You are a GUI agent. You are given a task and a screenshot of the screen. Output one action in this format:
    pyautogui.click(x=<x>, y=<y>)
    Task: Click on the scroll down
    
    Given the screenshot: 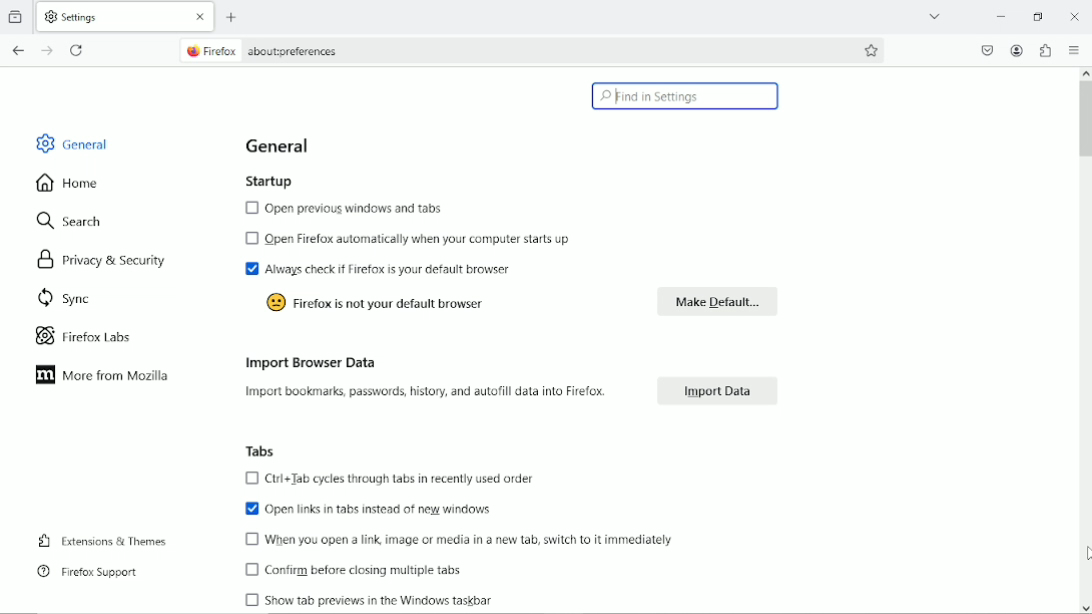 What is the action you would take?
    pyautogui.click(x=1085, y=608)
    